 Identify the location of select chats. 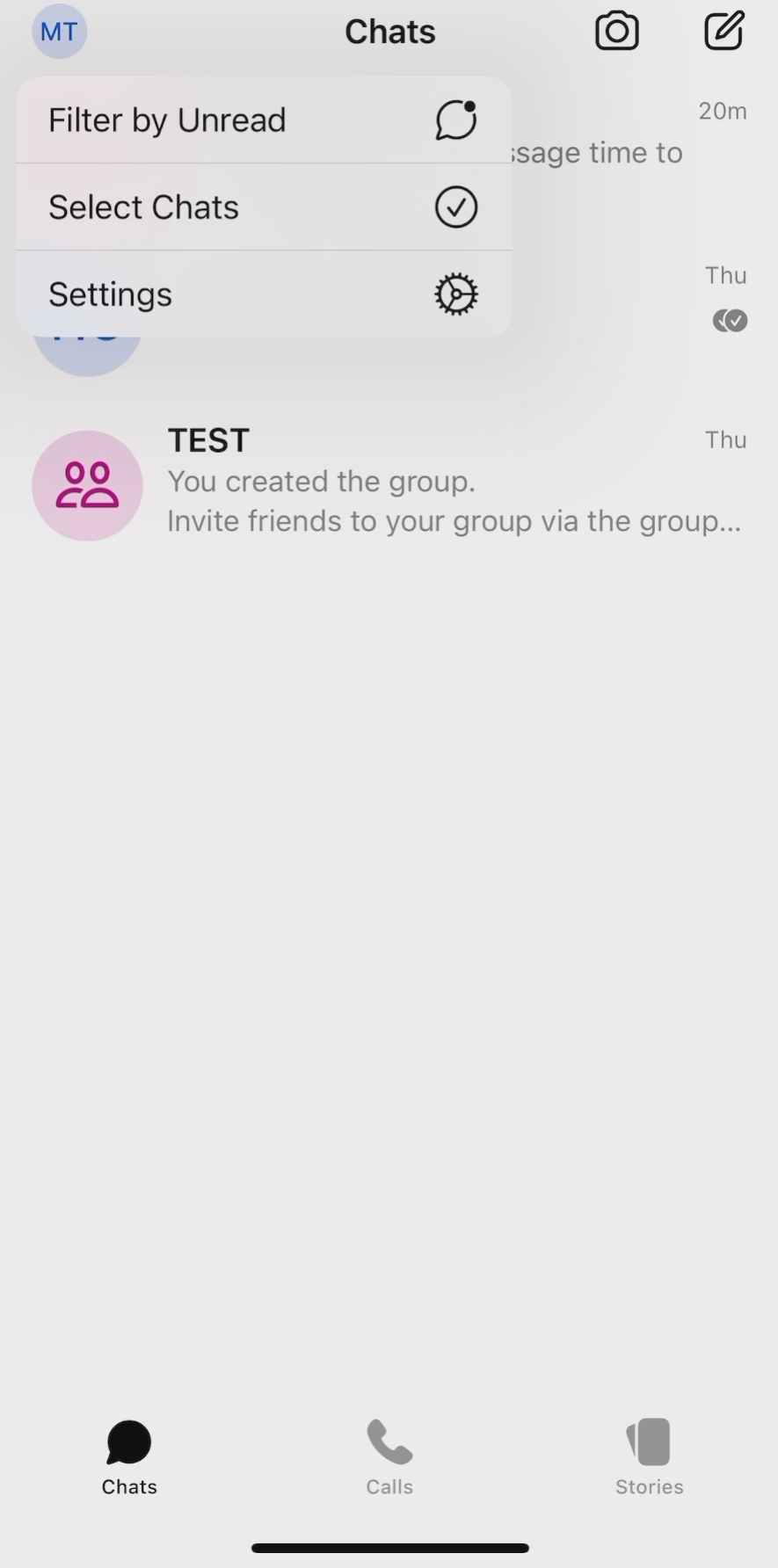
(263, 211).